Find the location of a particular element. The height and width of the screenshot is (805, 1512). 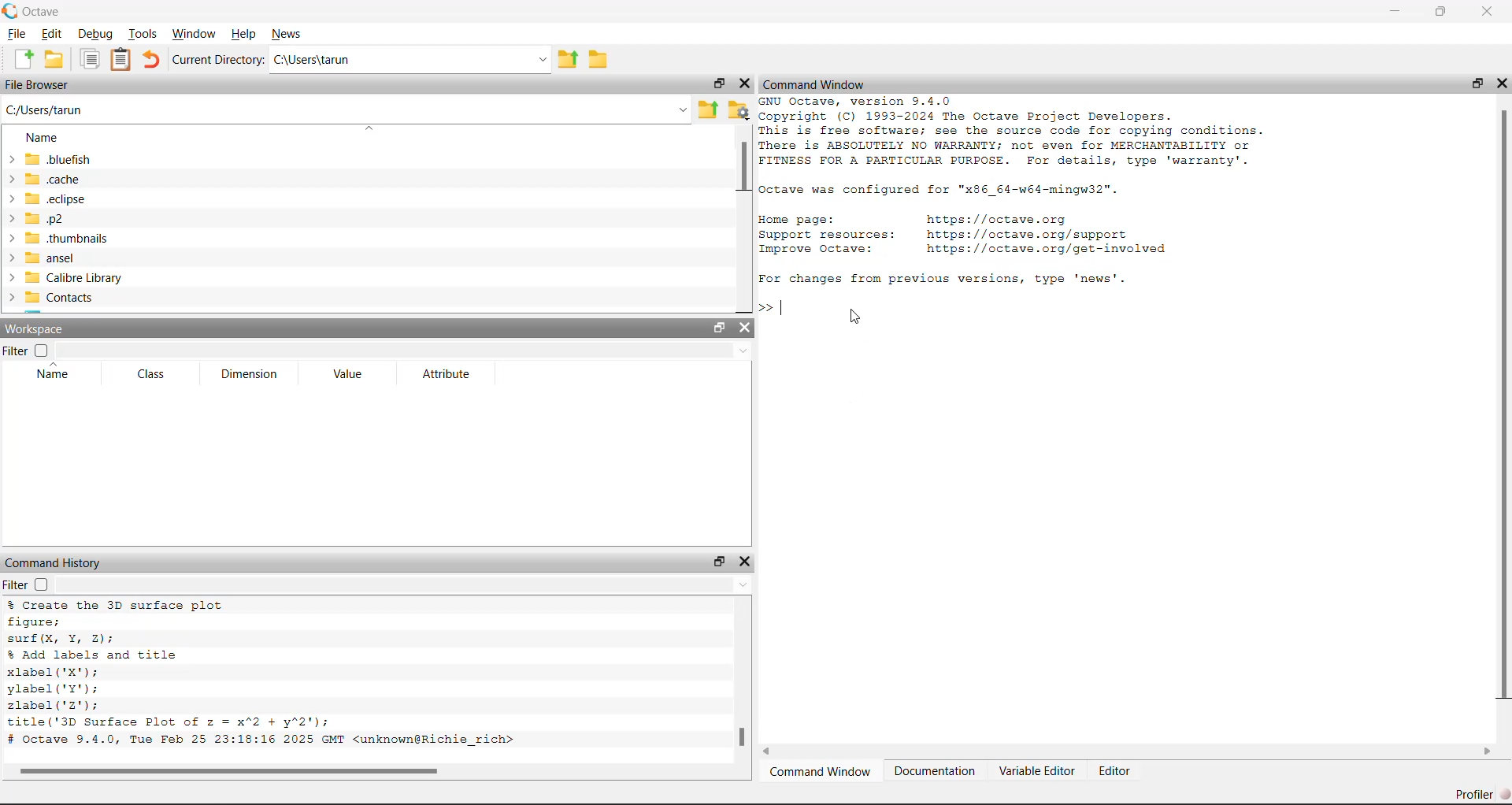

title('3D Surface Plot of z = x"2 + y*2'); is located at coordinates (172, 722).